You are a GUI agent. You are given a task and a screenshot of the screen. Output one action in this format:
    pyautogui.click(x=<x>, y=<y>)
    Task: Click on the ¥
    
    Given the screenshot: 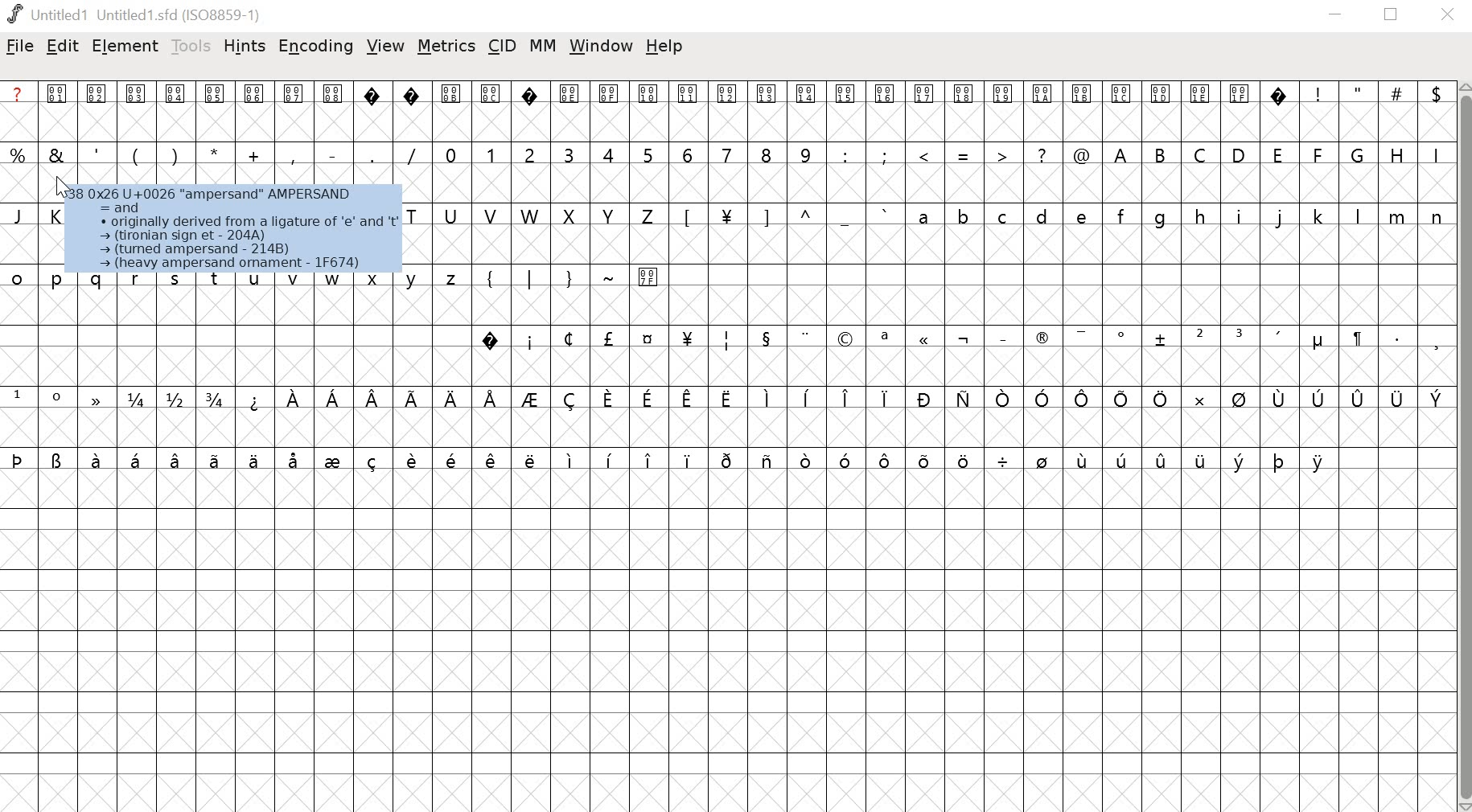 What is the action you would take?
    pyautogui.click(x=726, y=215)
    